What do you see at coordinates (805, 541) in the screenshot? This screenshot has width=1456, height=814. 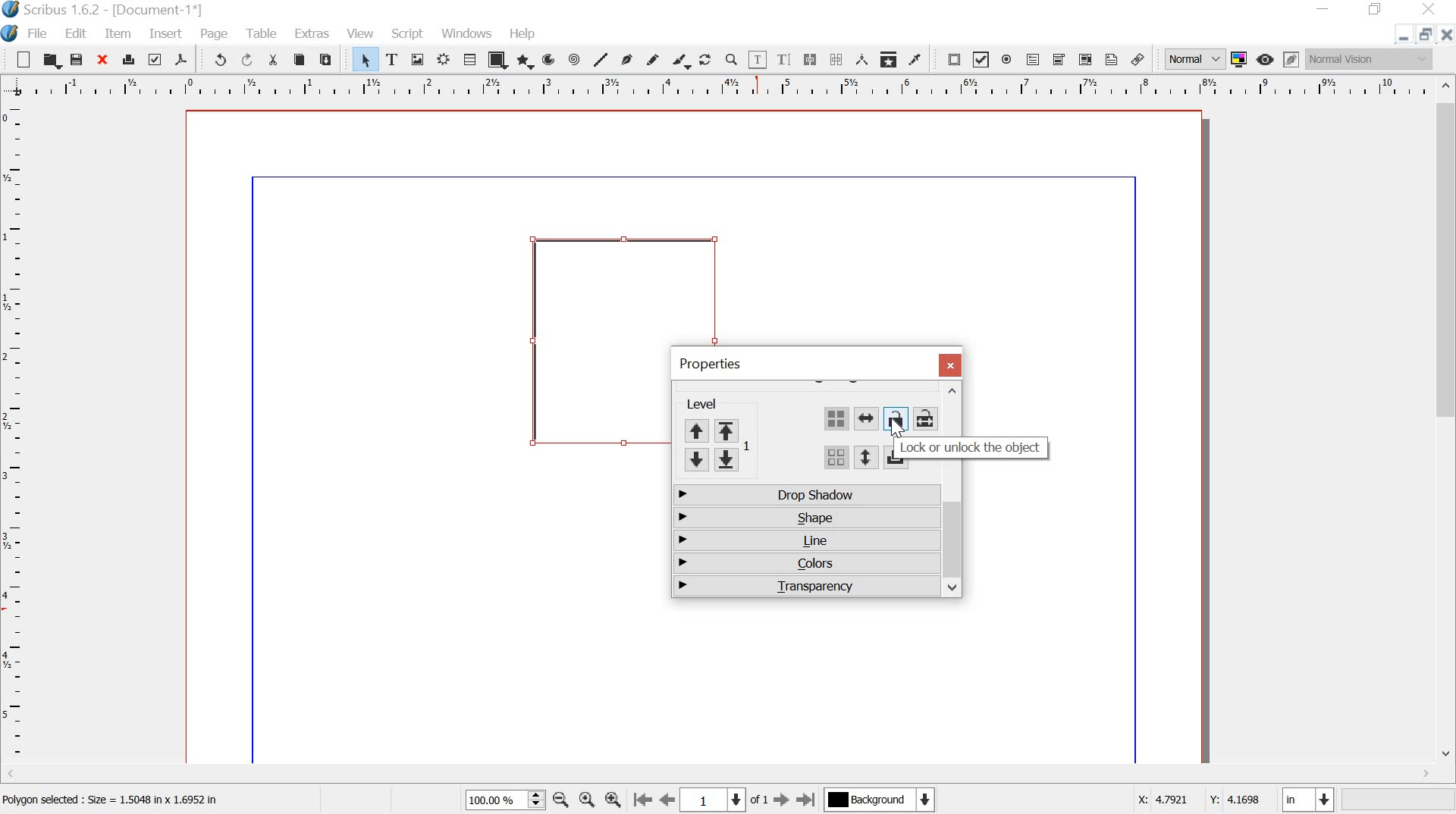 I see `line` at bounding box center [805, 541].